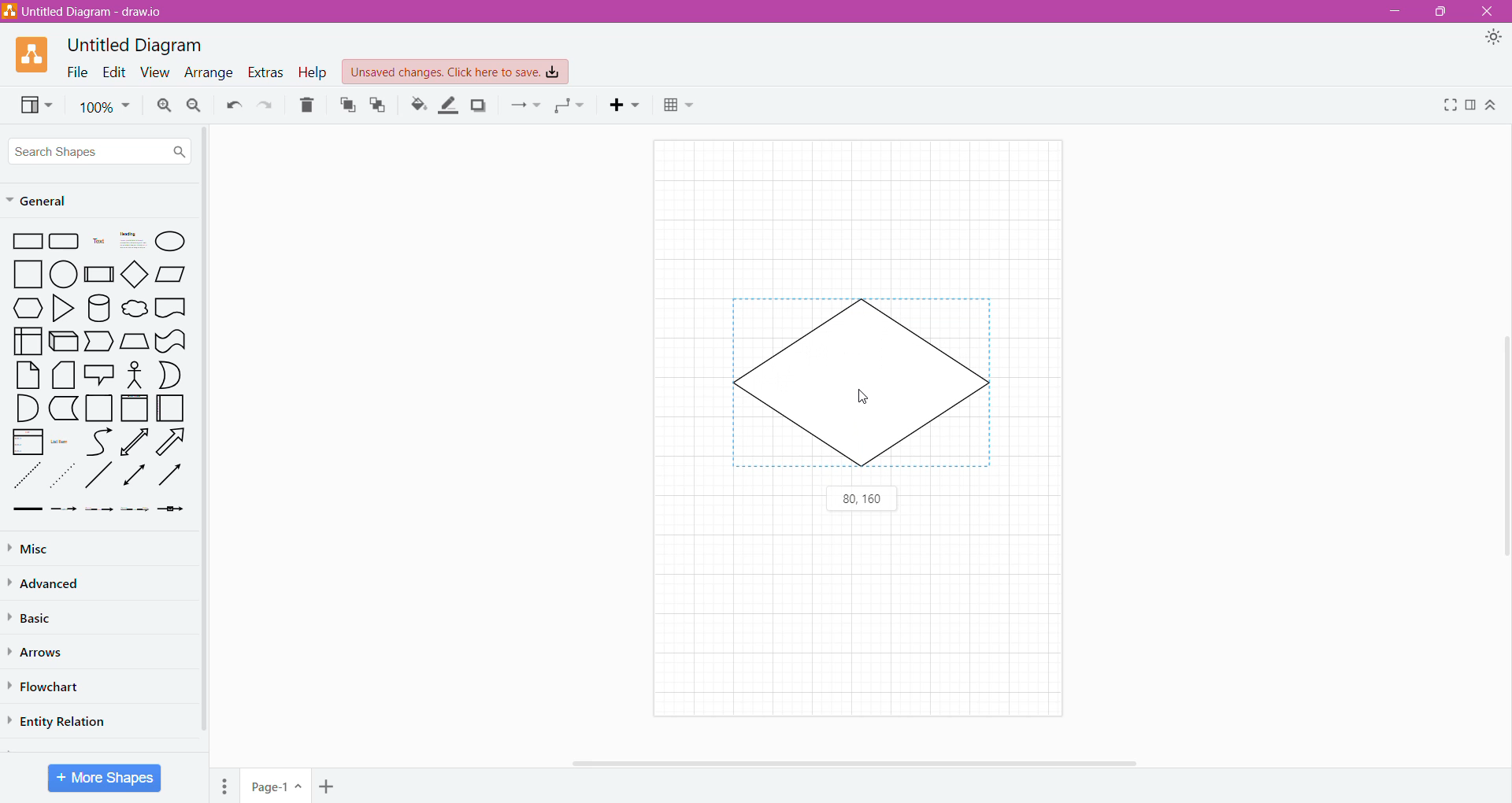 This screenshot has width=1512, height=803. I want to click on Arrow, so click(174, 444).